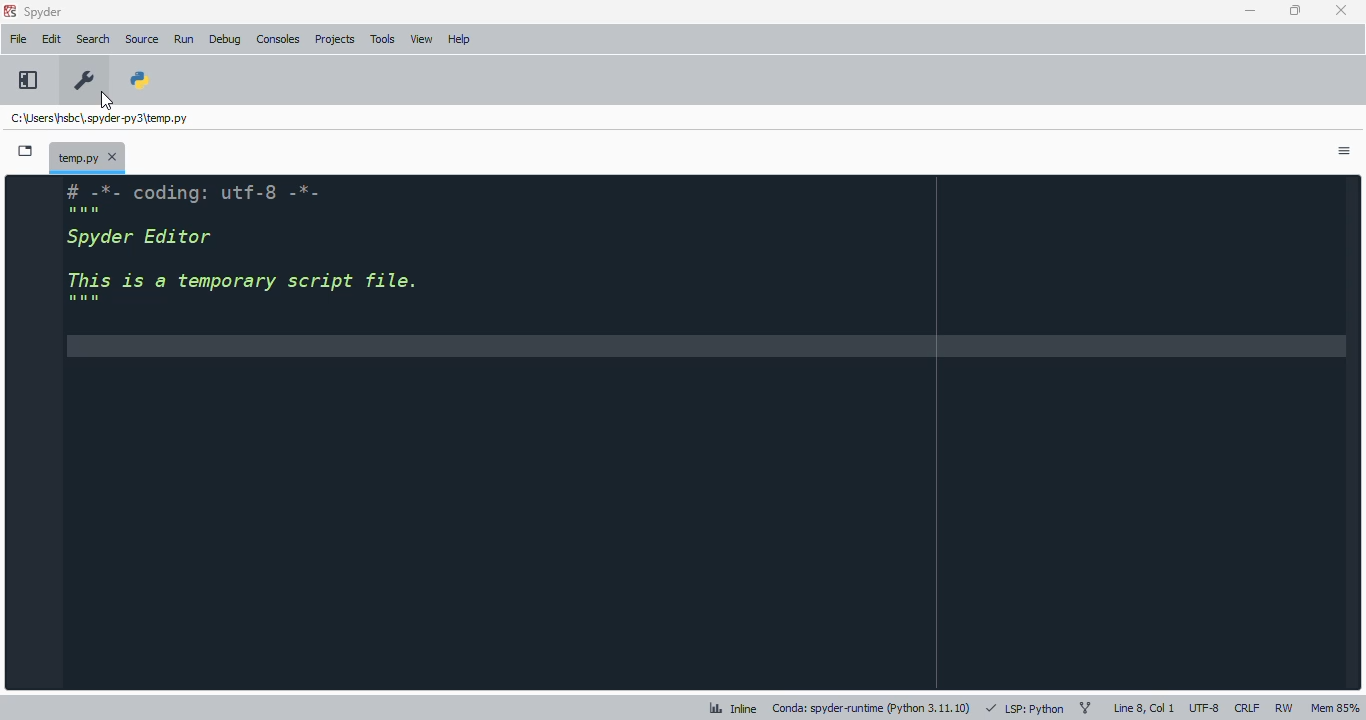  What do you see at coordinates (459, 39) in the screenshot?
I see `help` at bounding box center [459, 39].